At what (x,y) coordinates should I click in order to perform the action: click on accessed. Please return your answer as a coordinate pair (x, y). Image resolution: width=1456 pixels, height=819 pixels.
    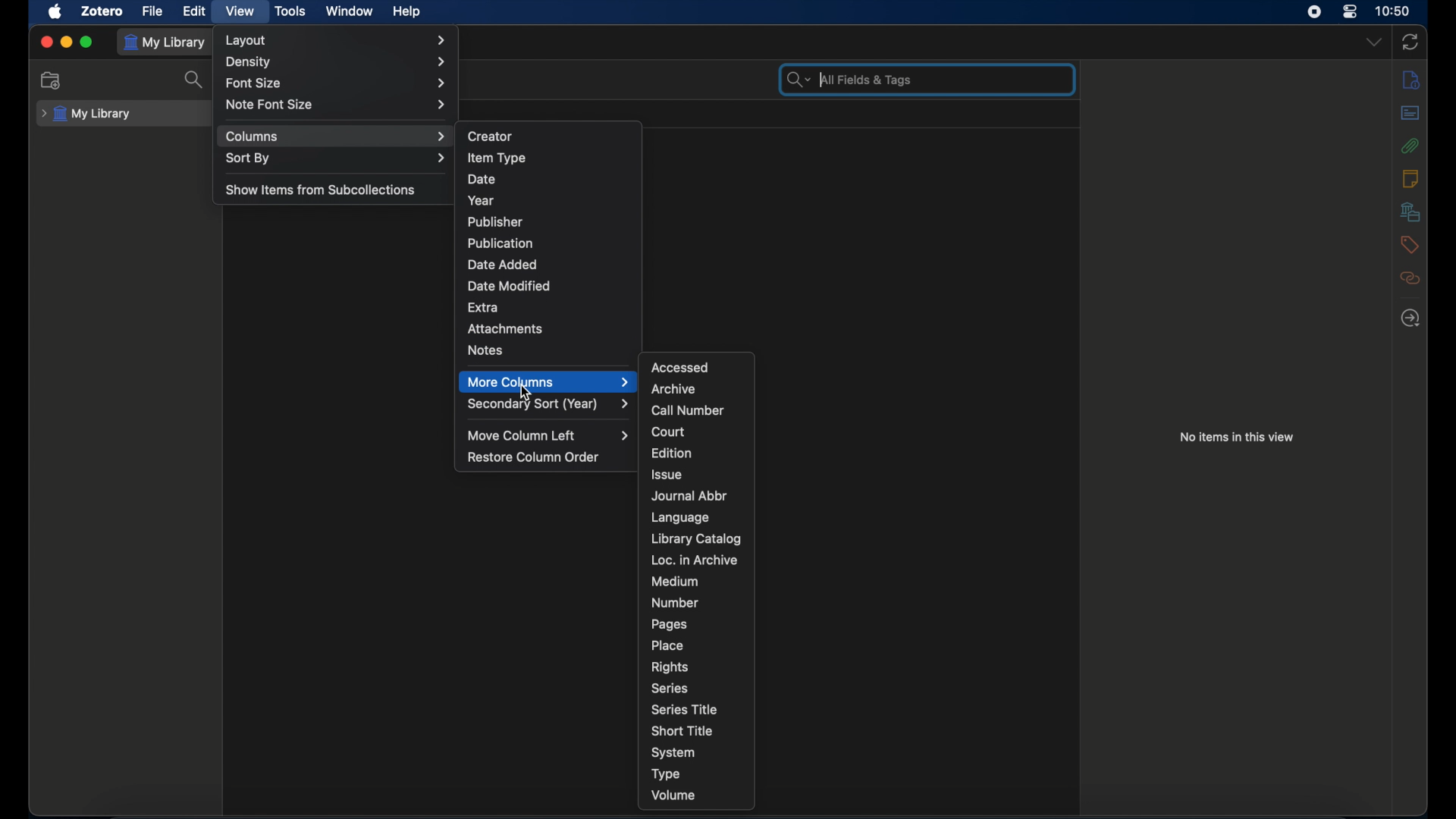
    Looking at the image, I should click on (681, 367).